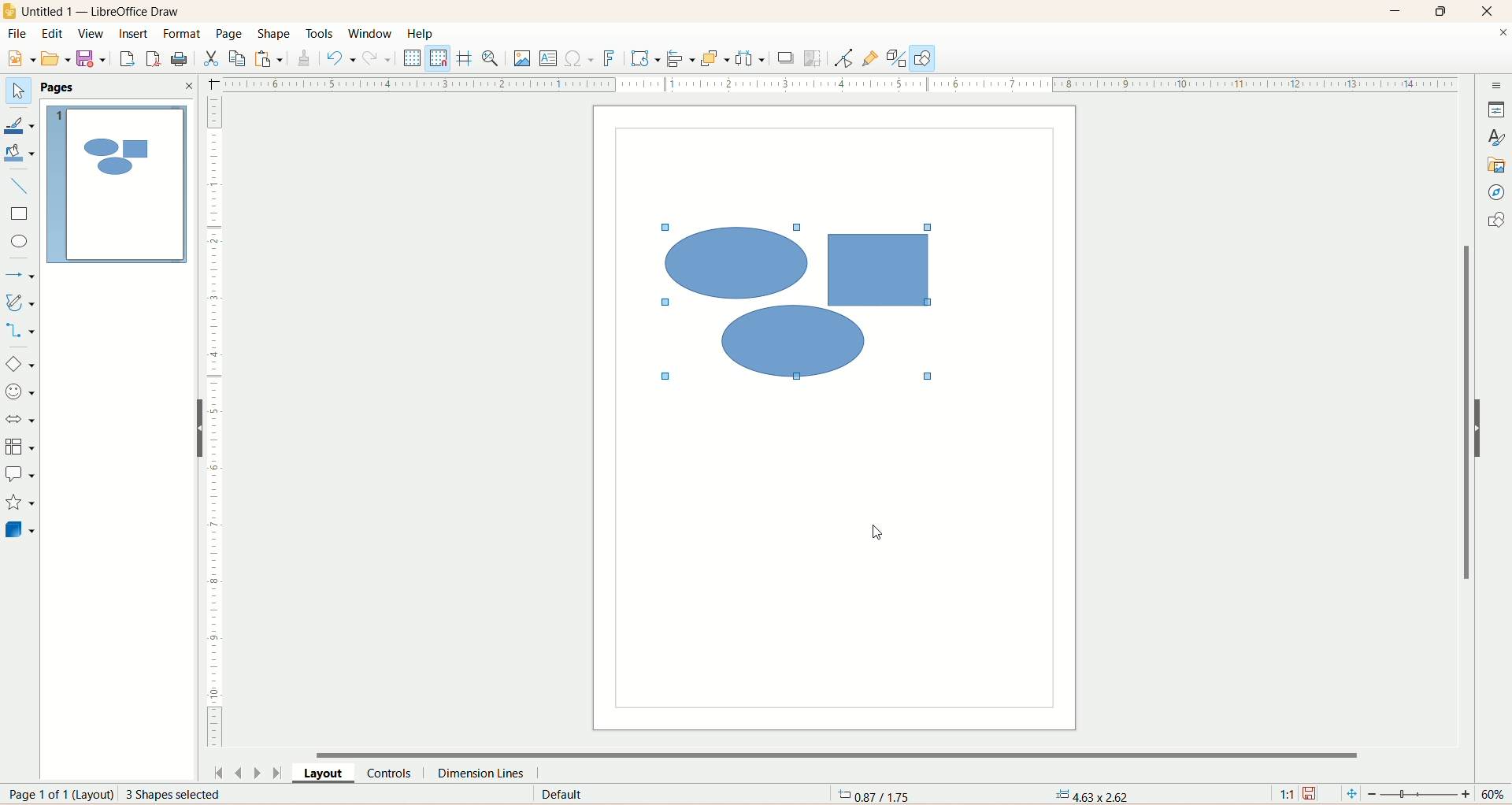  Describe the element at coordinates (895, 59) in the screenshot. I see `toggle extrusion` at that location.